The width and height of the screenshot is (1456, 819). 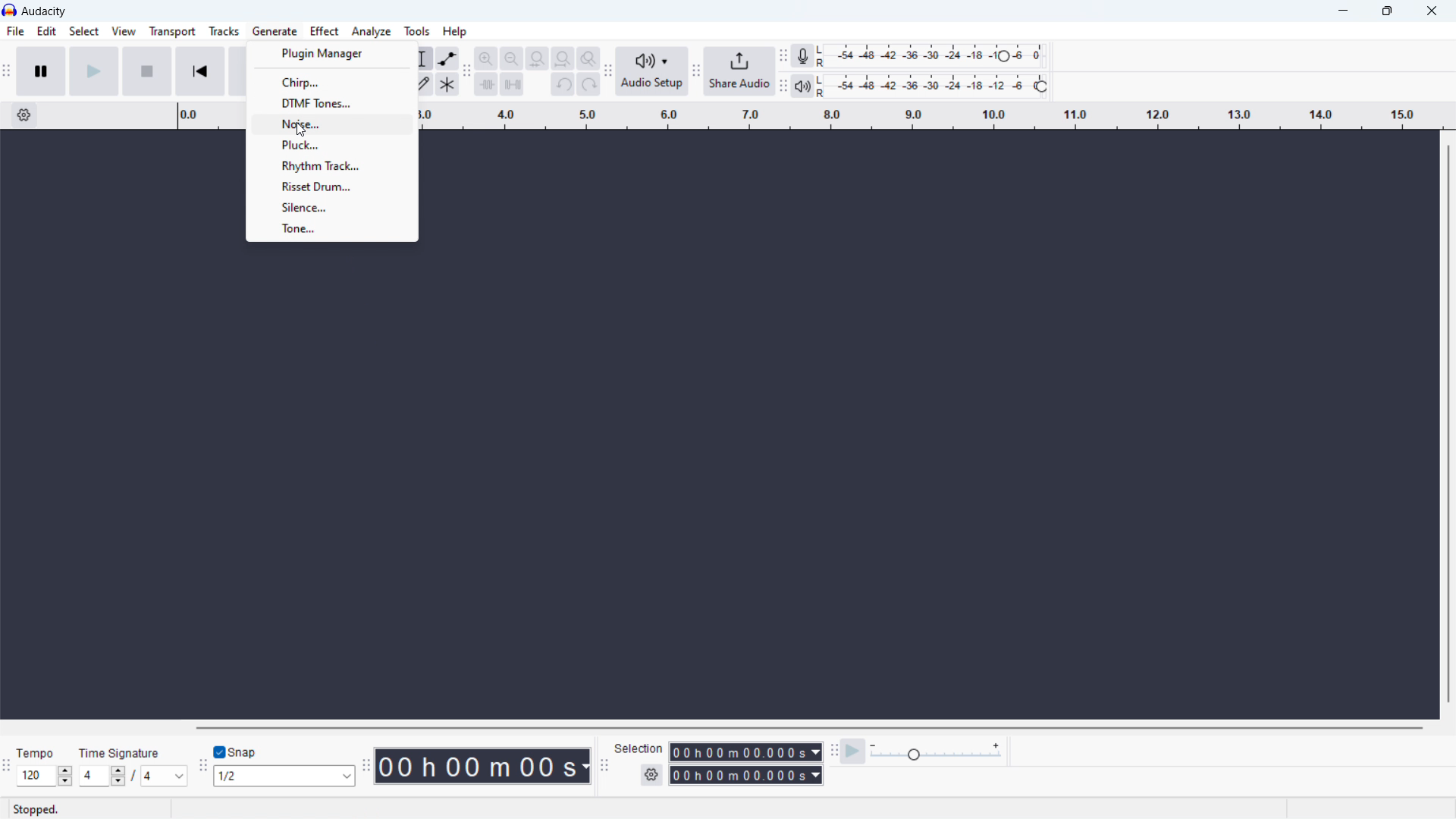 What do you see at coordinates (46, 31) in the screenshot?
I see `edit` at bounding box center [46, 31].